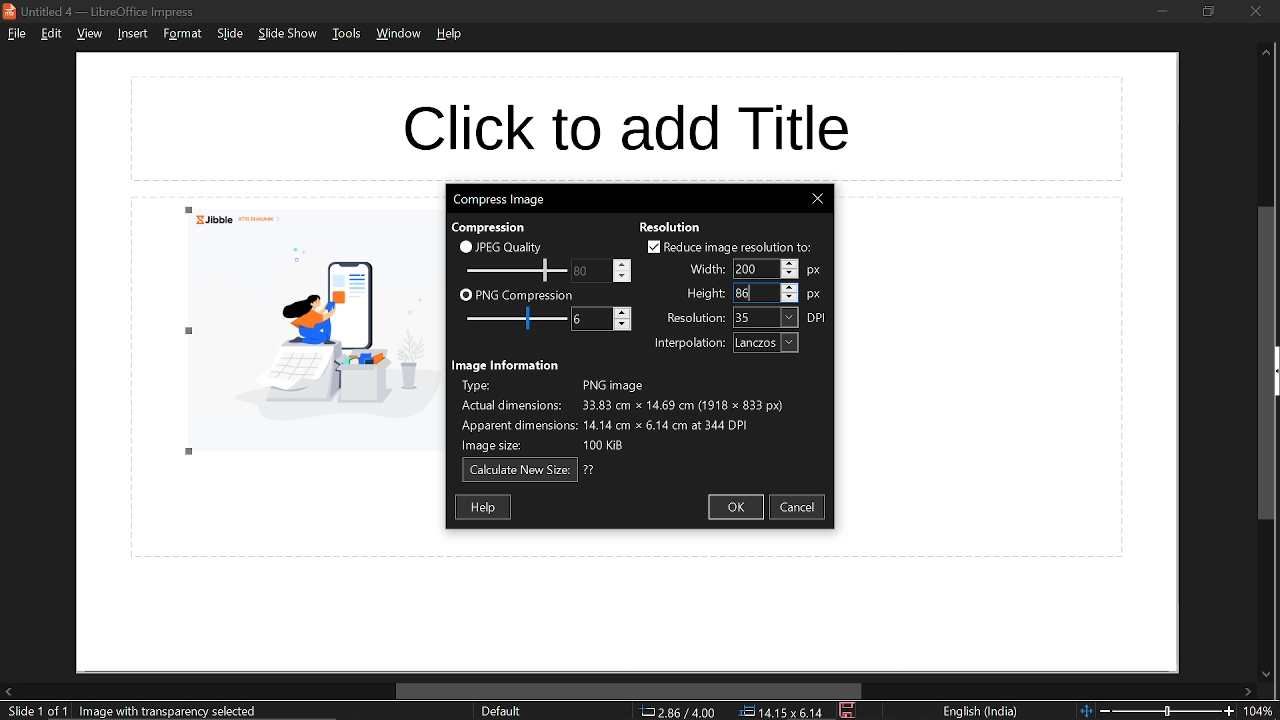 Image resolution: width=1280 pixels, height=720 pixels. I want to click on space for title, so click(625, 129).